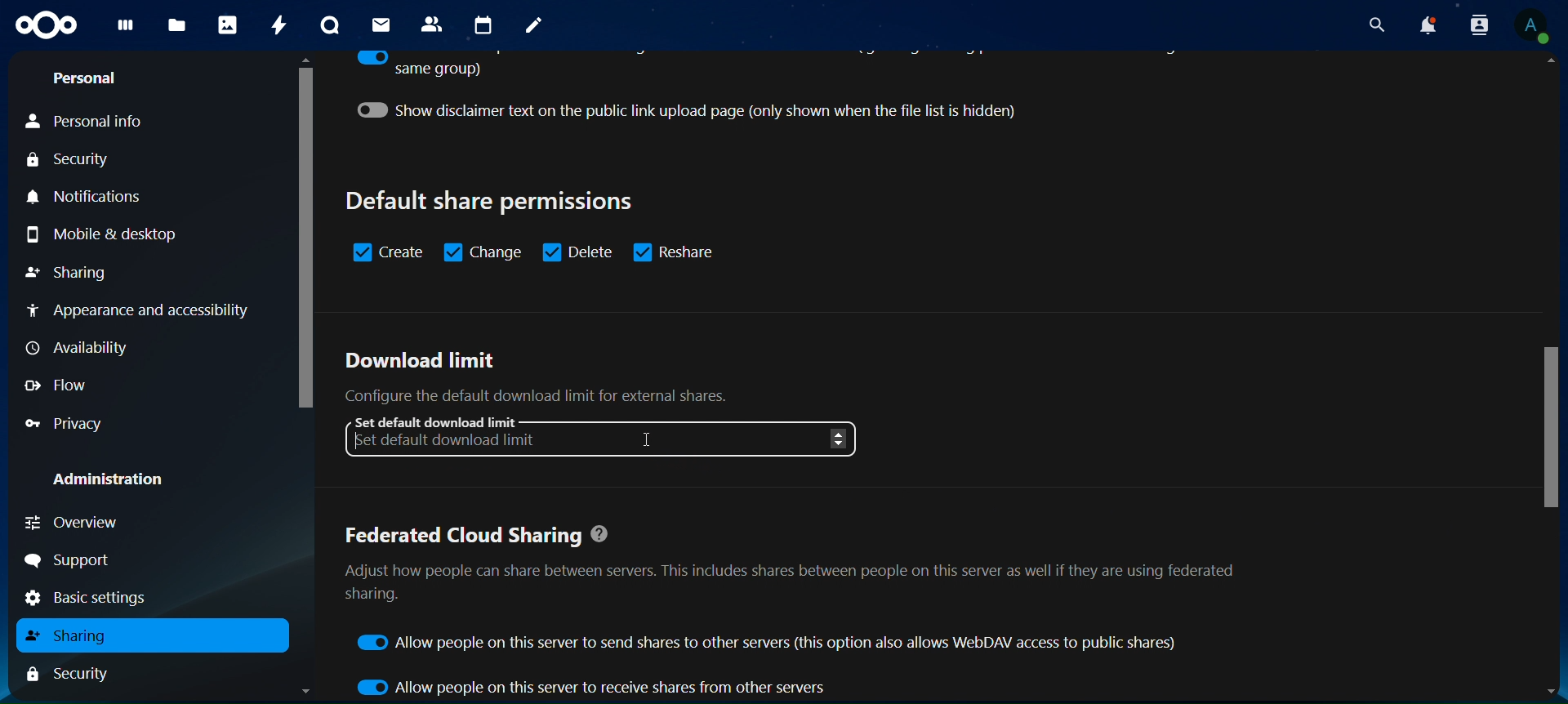 The image size is (1568, 704). Describe the element at coordinates (69, 274) in the screenshot. I see `sharing` at that location.